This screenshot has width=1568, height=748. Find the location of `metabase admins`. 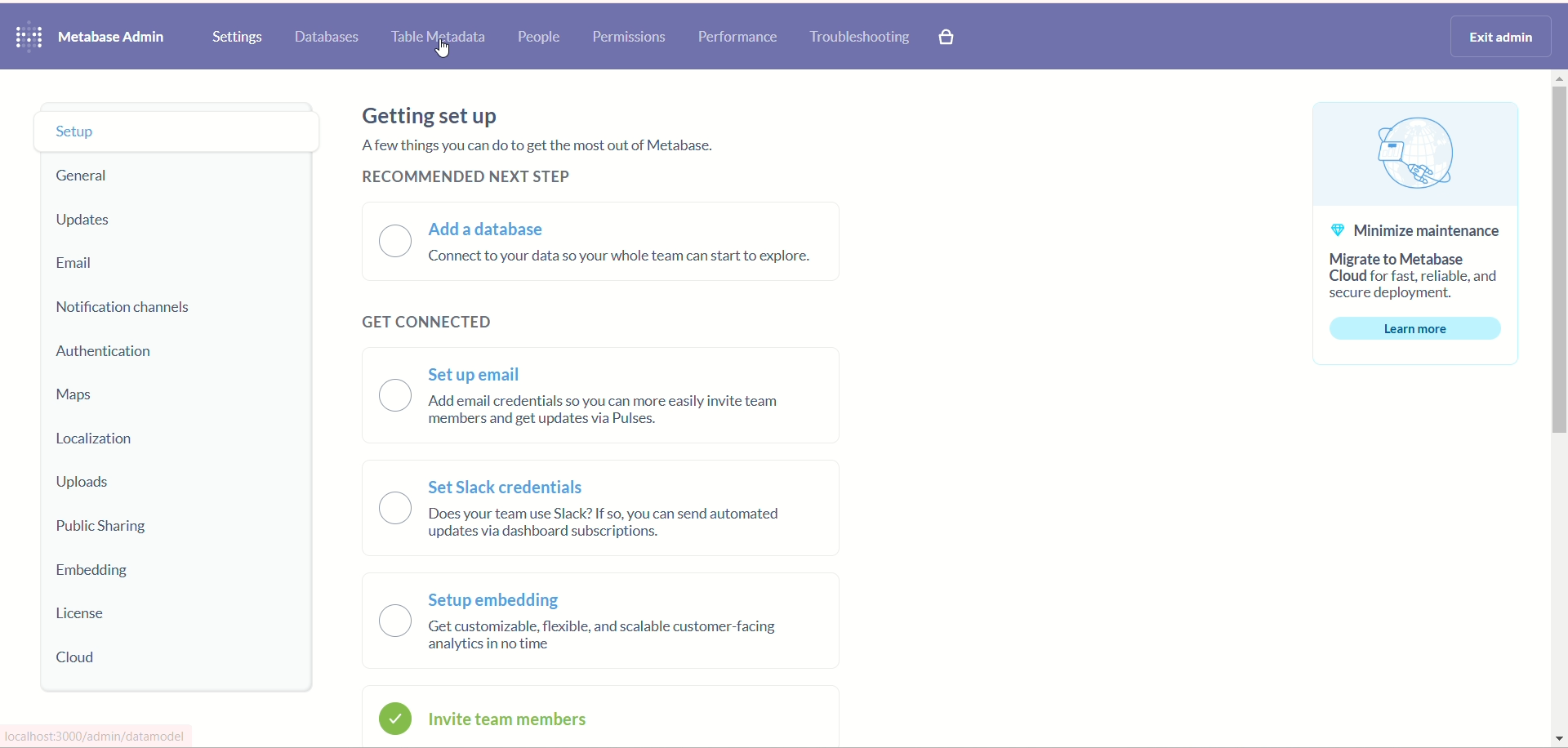

metabase admins is located at coordinates (111, 38).